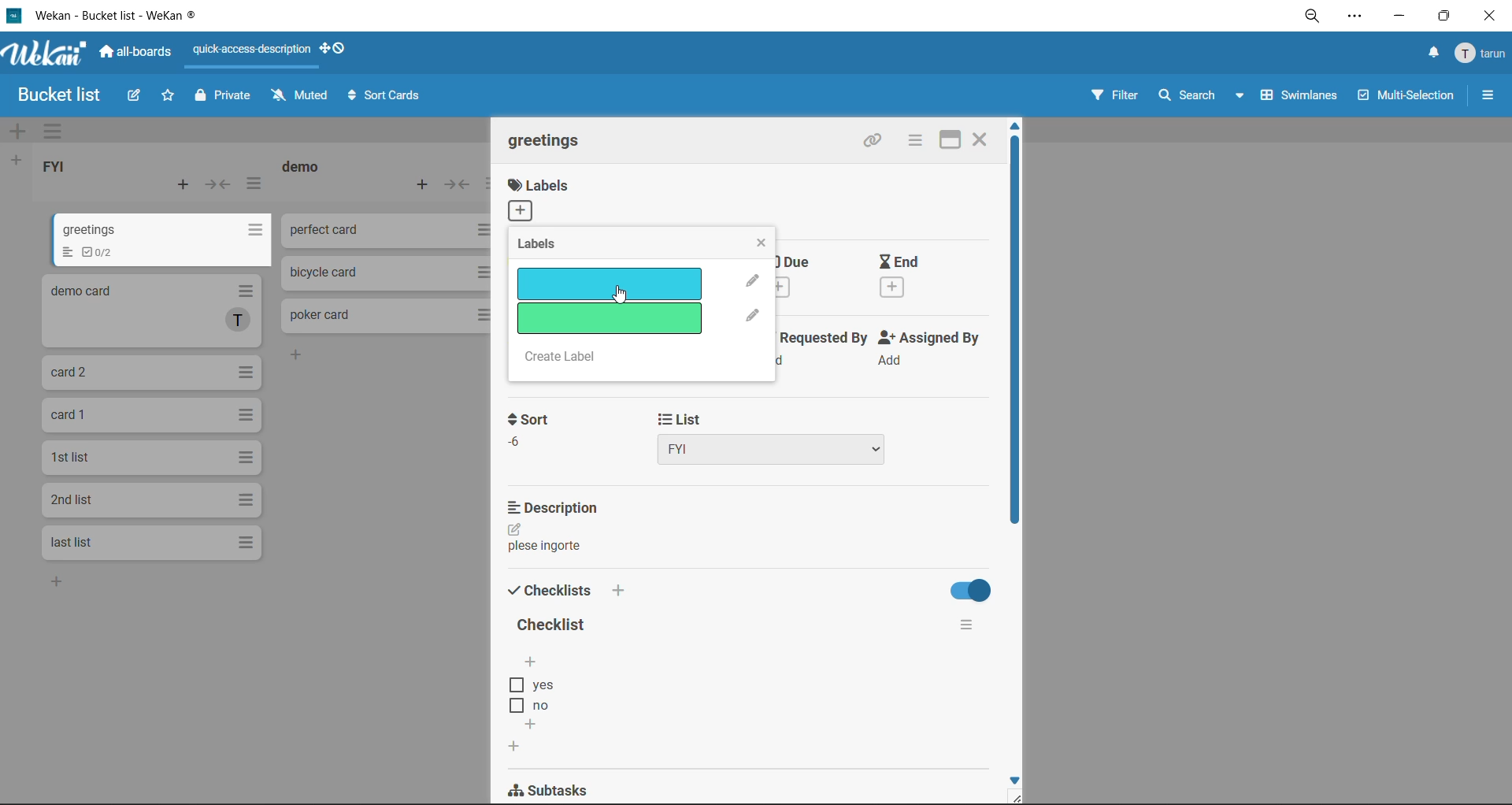 The height and width of the screenshot is (805, 1512). What do you see at coordinates (534, 723) in the screenshot?
I see `add checklist options` at bounding box center [534, 723].